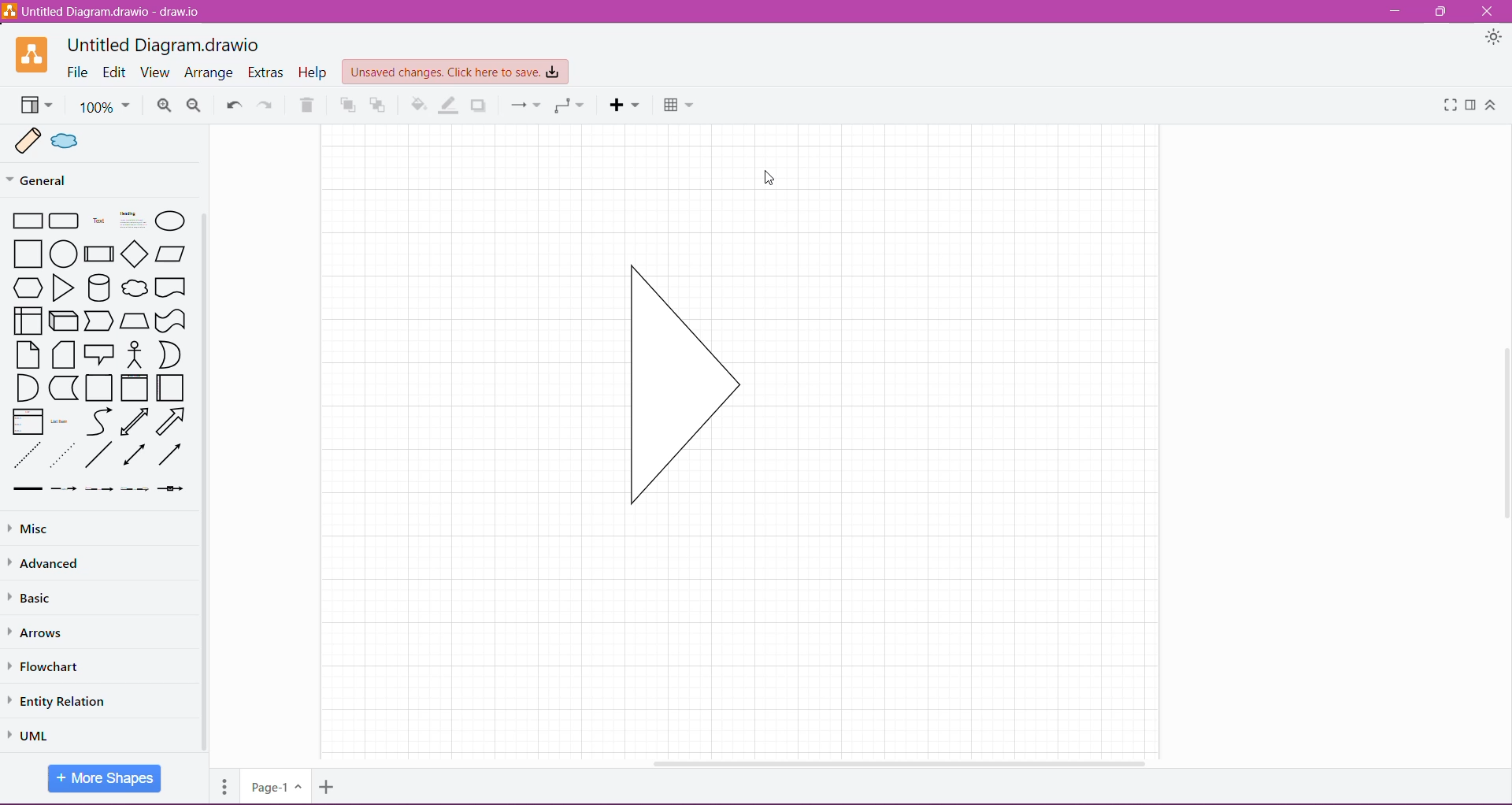 Image resolution: width=1512 pixels, height=805 pixels. I want to click on View, so click(35, 106).